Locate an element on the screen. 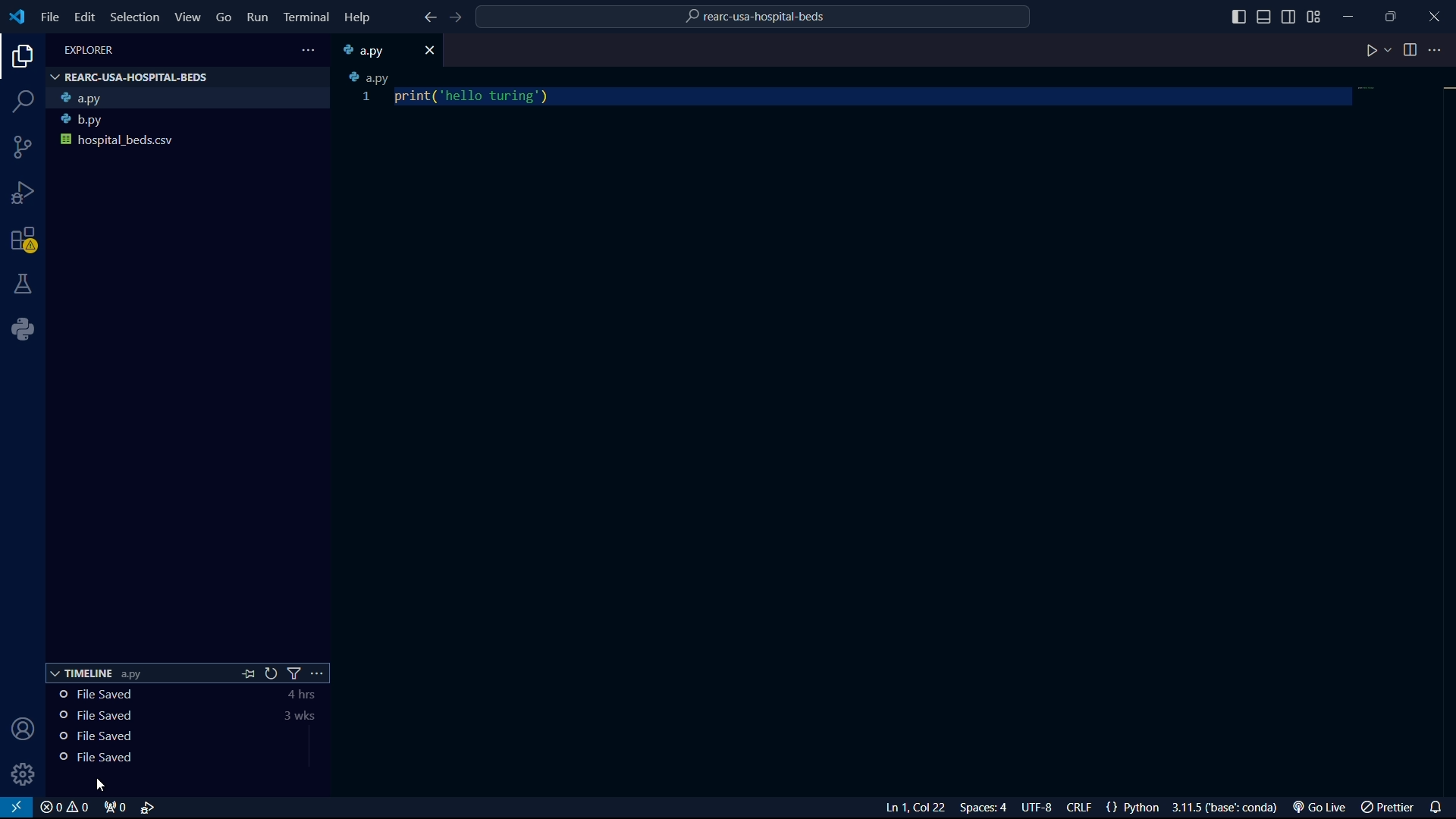 The width and height of the screenshot is (1456, 819). file name is located at coordinates (89, 49).